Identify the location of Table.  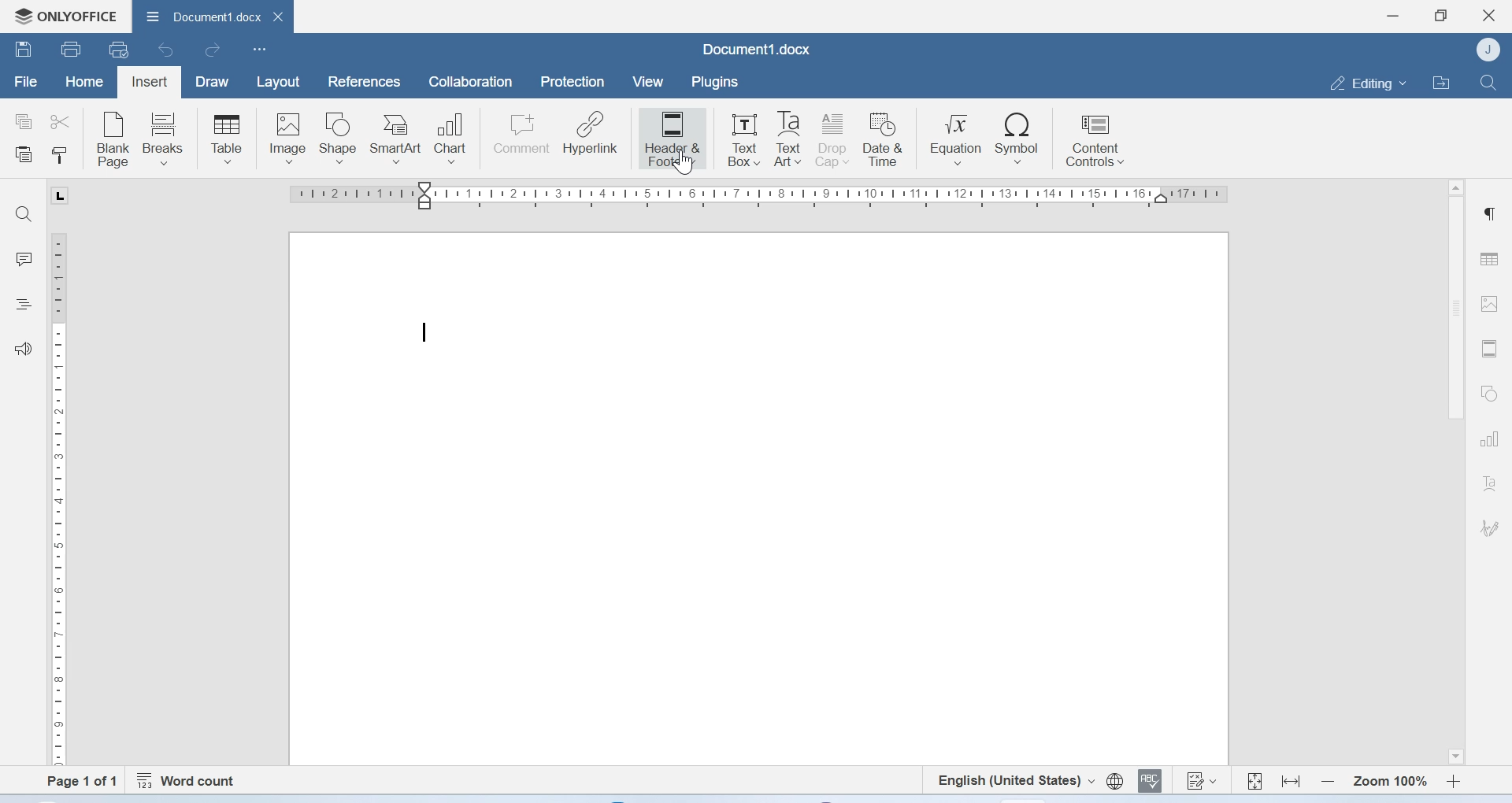
(226, 138).